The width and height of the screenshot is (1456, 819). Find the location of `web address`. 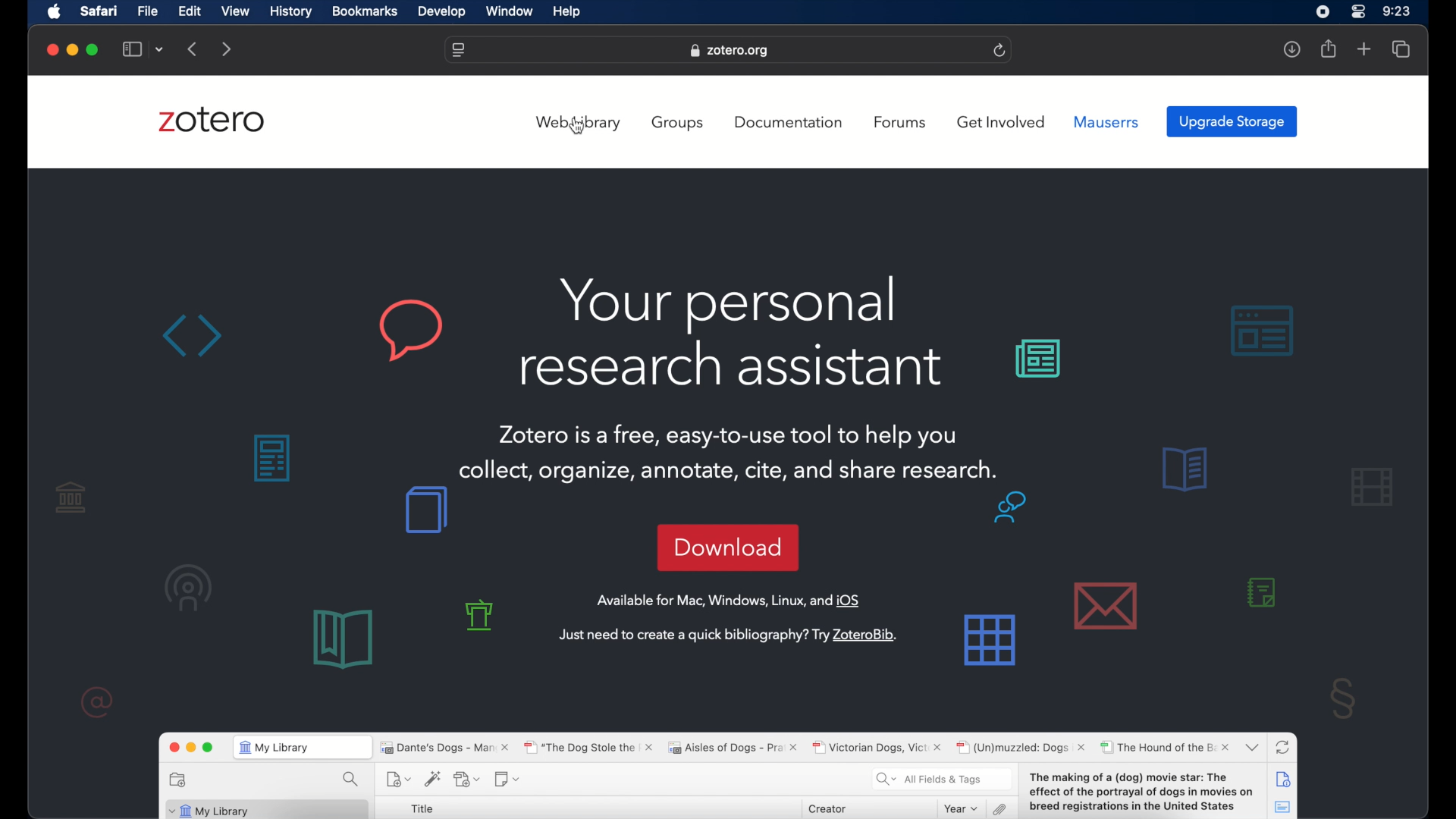

web address is located at coordinates (459, 51).